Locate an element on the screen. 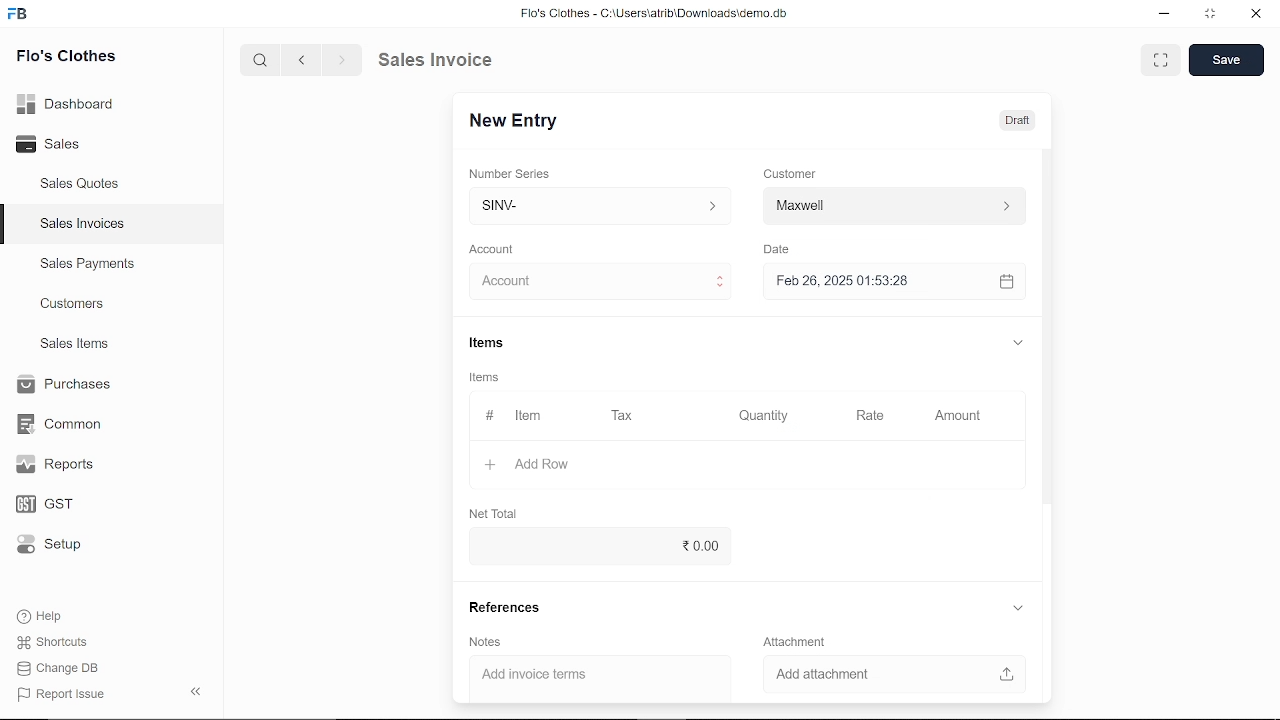  open calender is located at coordinates (1006, 281).